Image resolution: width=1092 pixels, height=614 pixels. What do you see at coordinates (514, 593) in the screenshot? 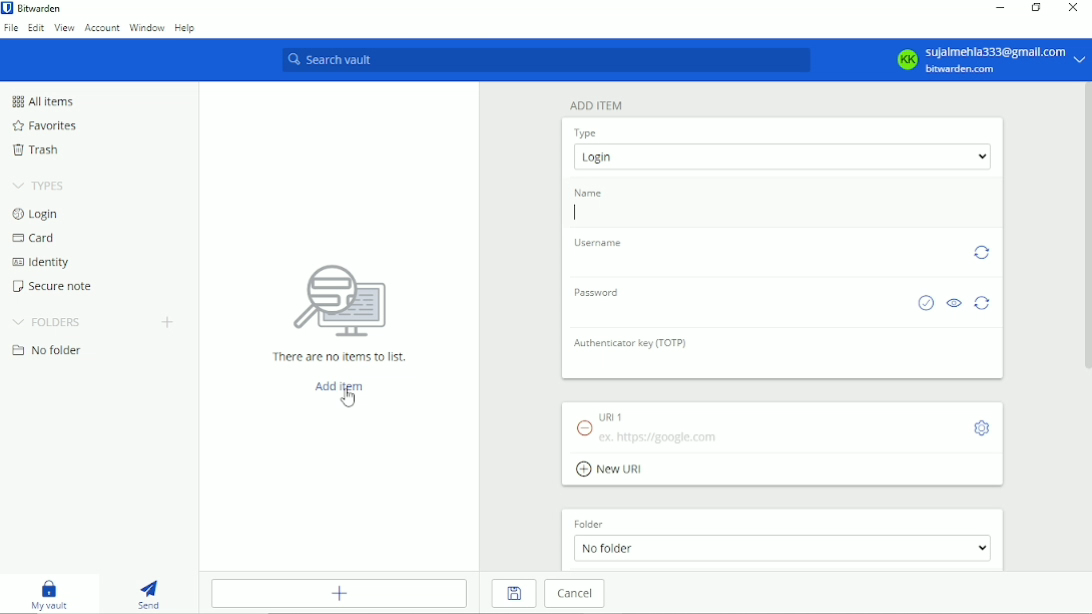
I see `Save` at bounding box center [514, 593].